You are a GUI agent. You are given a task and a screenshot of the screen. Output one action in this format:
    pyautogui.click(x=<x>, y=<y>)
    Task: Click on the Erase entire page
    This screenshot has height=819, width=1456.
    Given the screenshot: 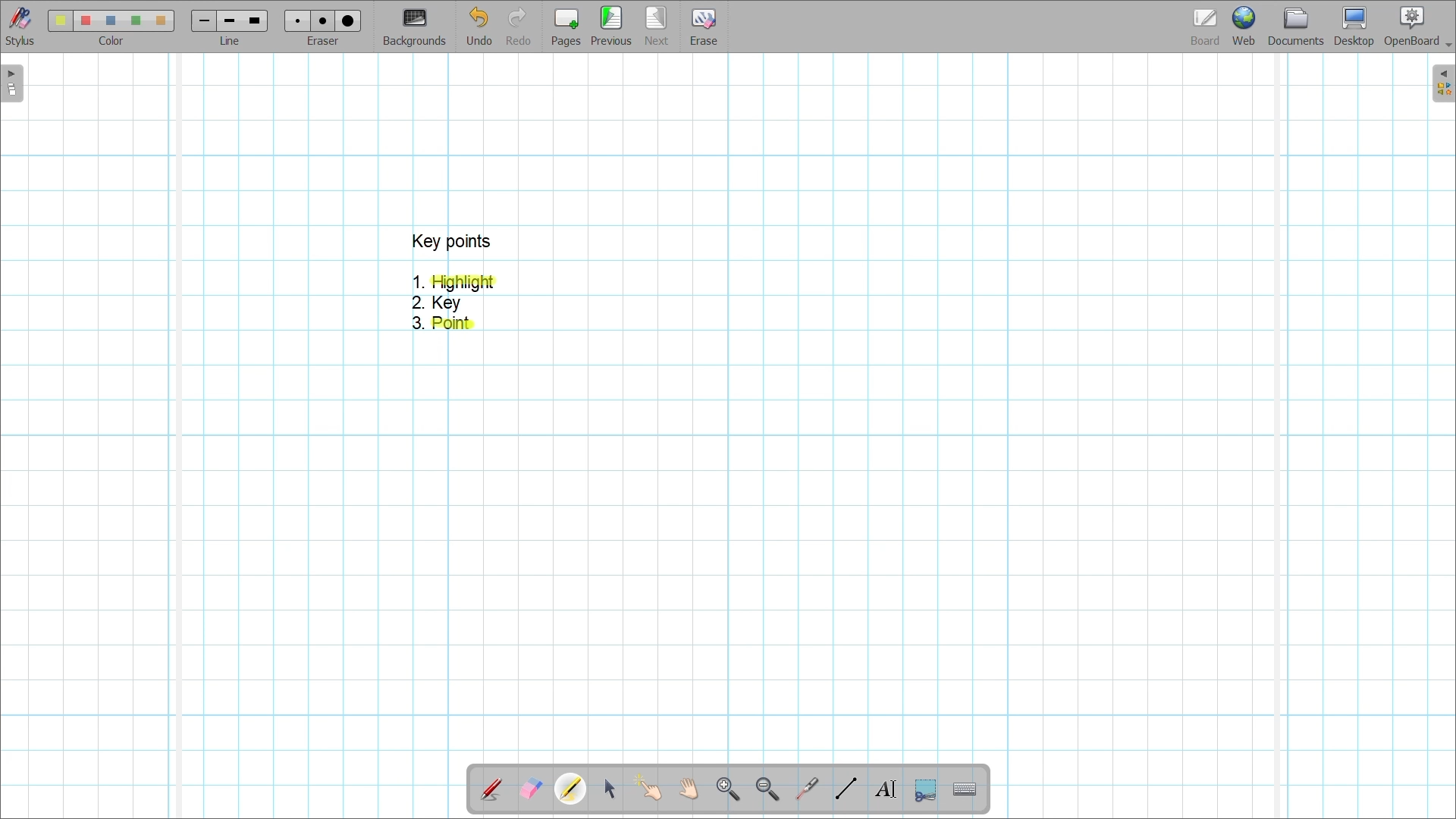 What is the action you would take?
    pyautogui.click(x=703, y=27)
    